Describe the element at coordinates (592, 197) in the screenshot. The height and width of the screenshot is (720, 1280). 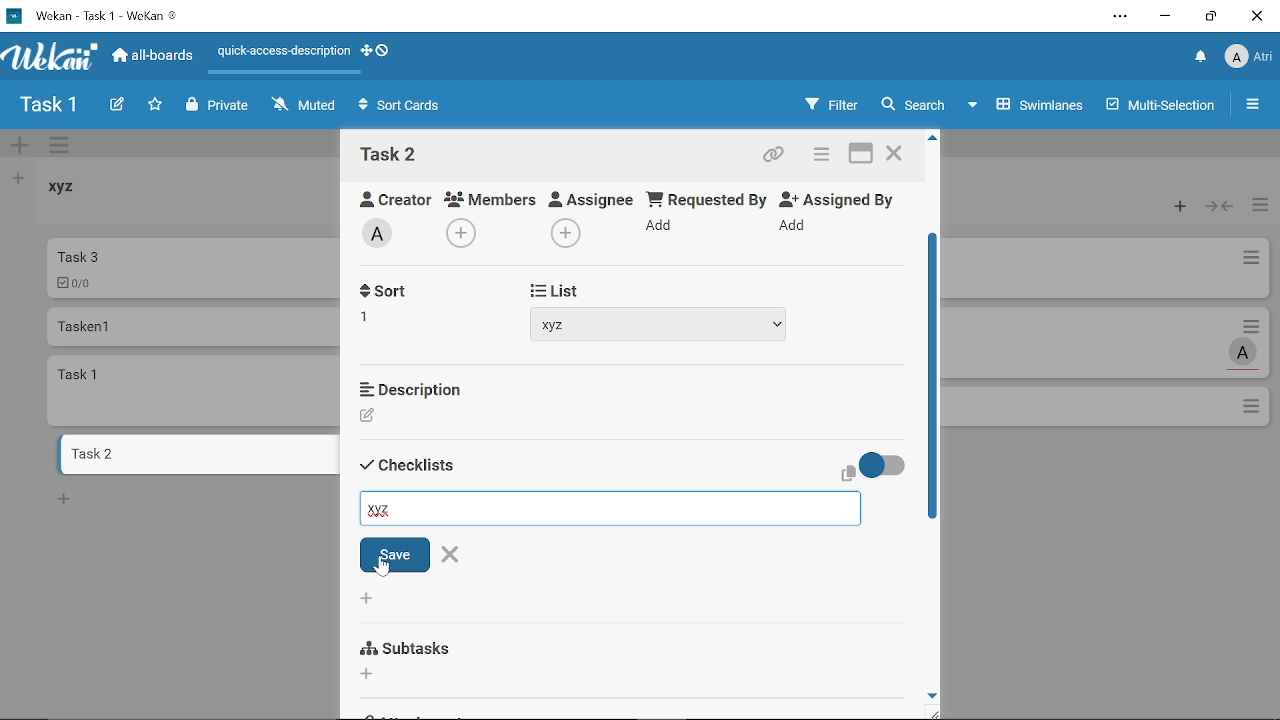
I see `Assignee` at that location.